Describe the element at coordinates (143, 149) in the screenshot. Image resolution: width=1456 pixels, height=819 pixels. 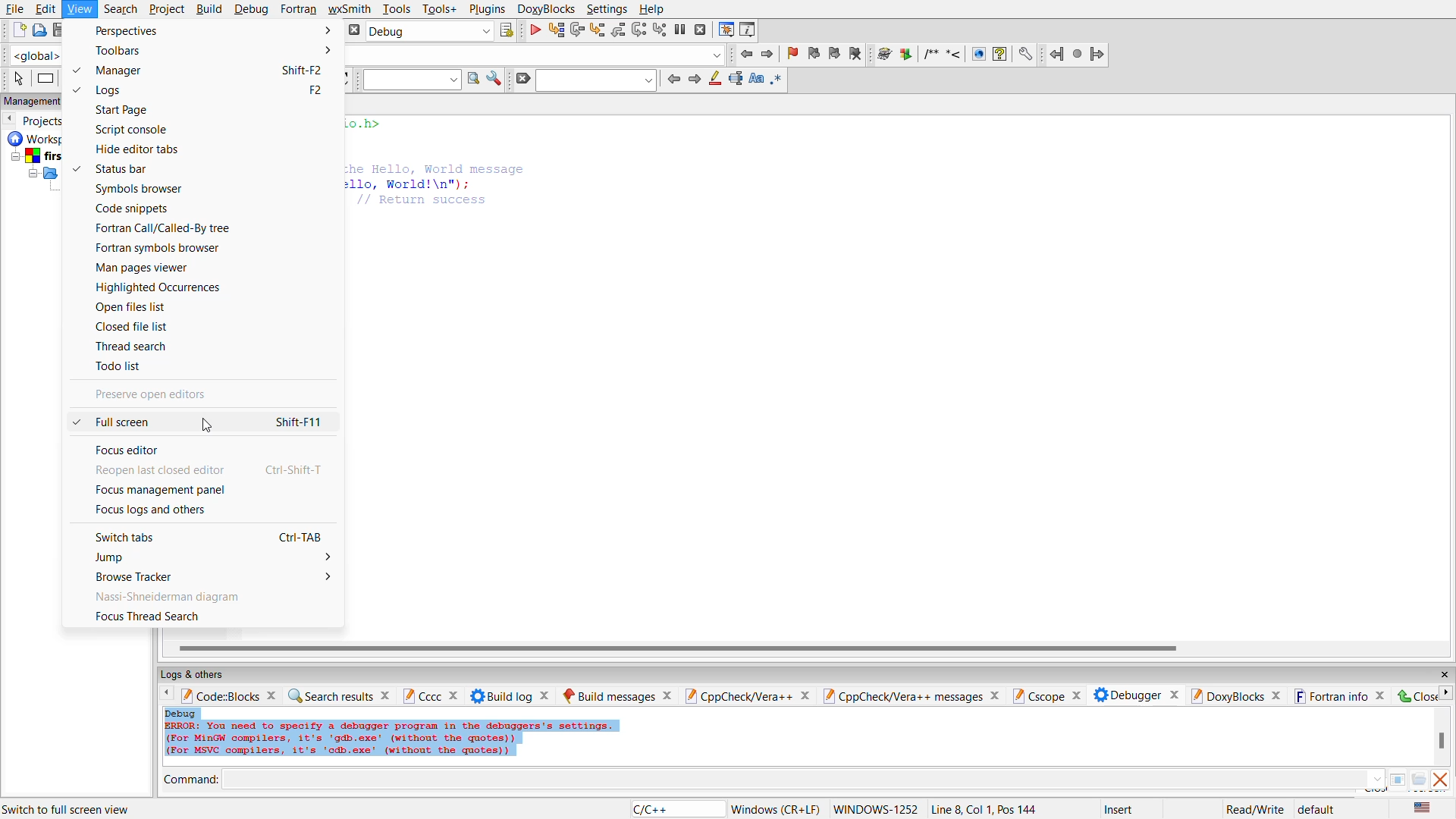
I see `hide editor tabs` at that location.